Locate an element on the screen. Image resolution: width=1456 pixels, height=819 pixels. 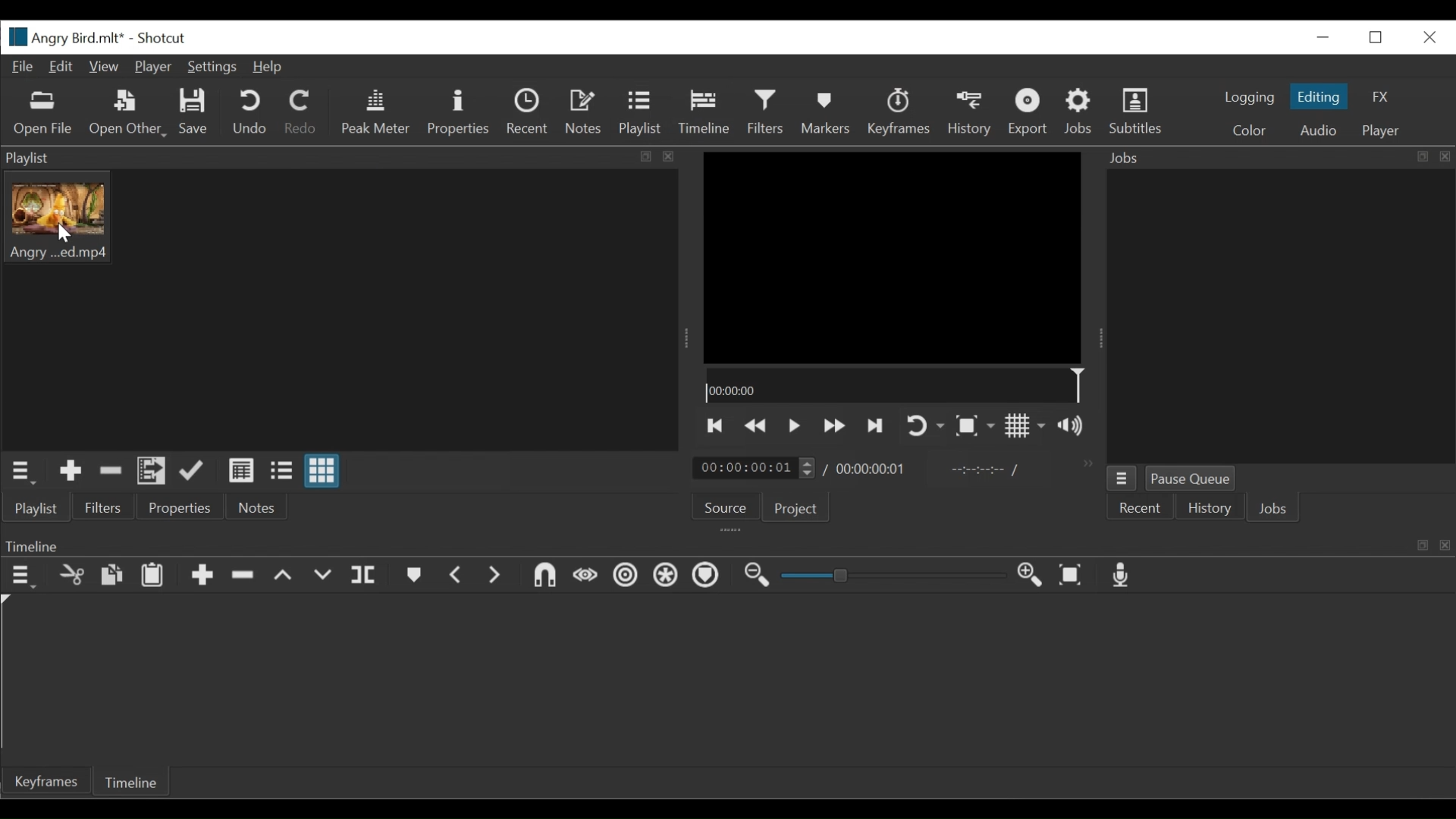
Restore is located at coordinates (1375, 37).